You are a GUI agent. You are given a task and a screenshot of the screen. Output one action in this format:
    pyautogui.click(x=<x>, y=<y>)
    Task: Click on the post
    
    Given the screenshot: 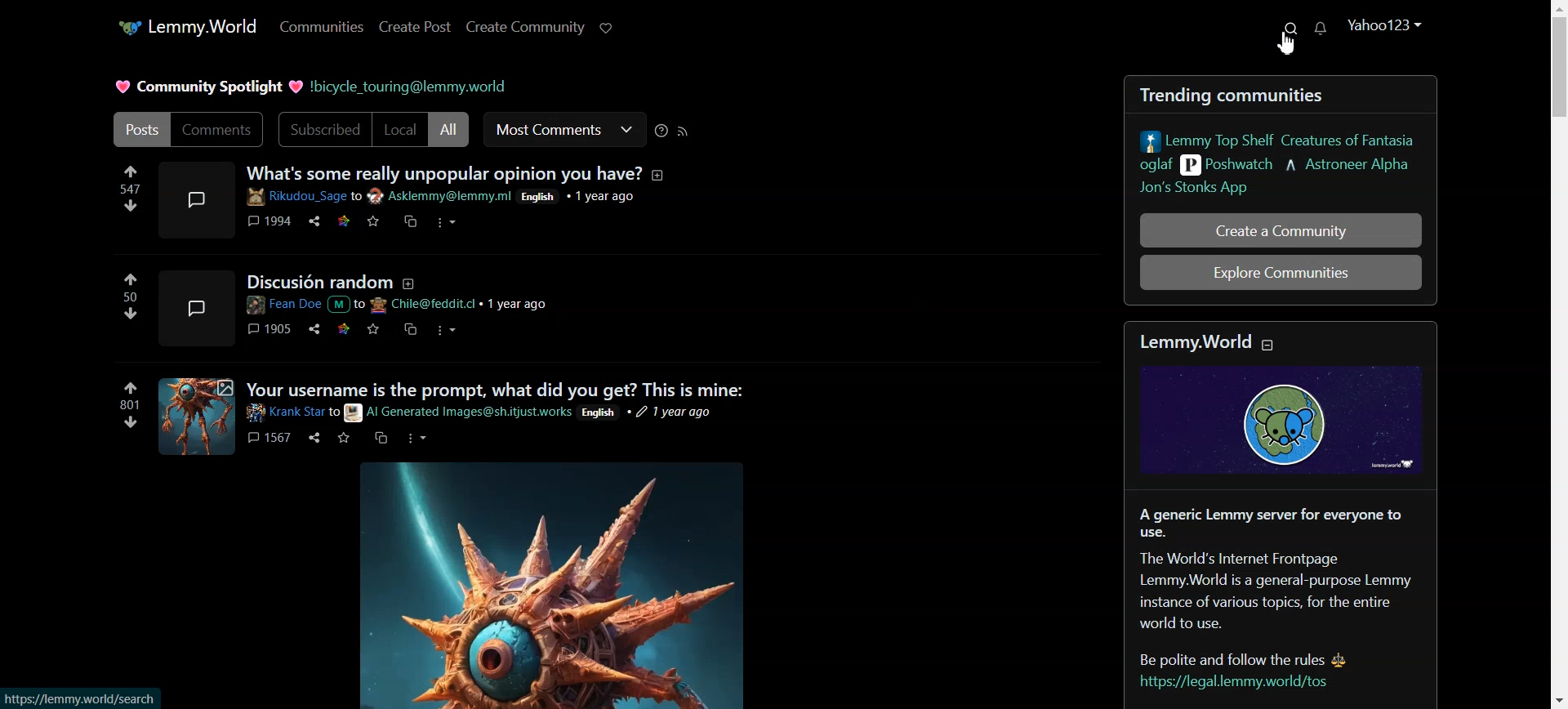 What is the action you would take?
    pyautogui.click(x=197, y=198)
    